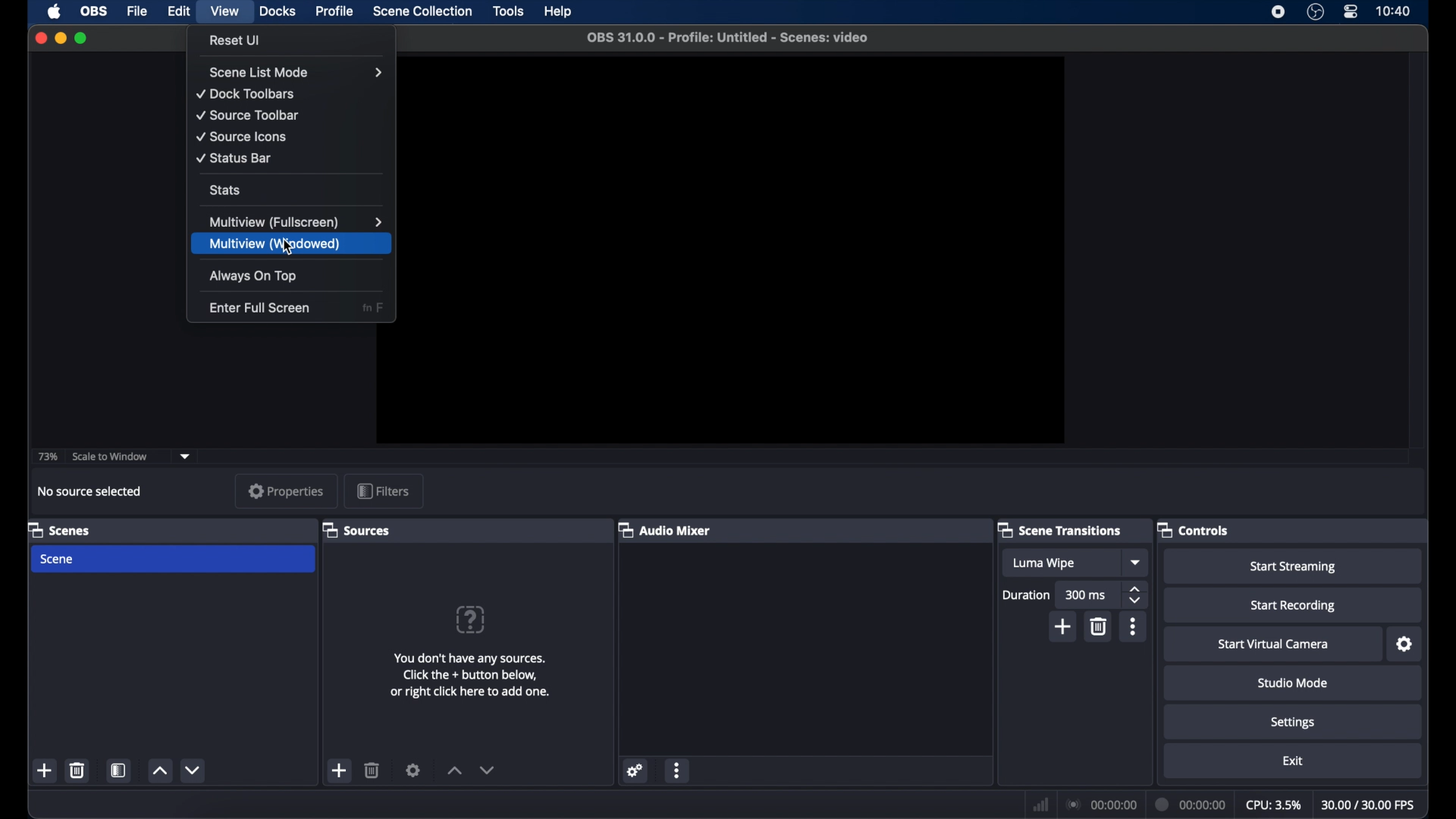 This screenshot has width=1456, height=819. I want to click on settings, so click(413, 770).